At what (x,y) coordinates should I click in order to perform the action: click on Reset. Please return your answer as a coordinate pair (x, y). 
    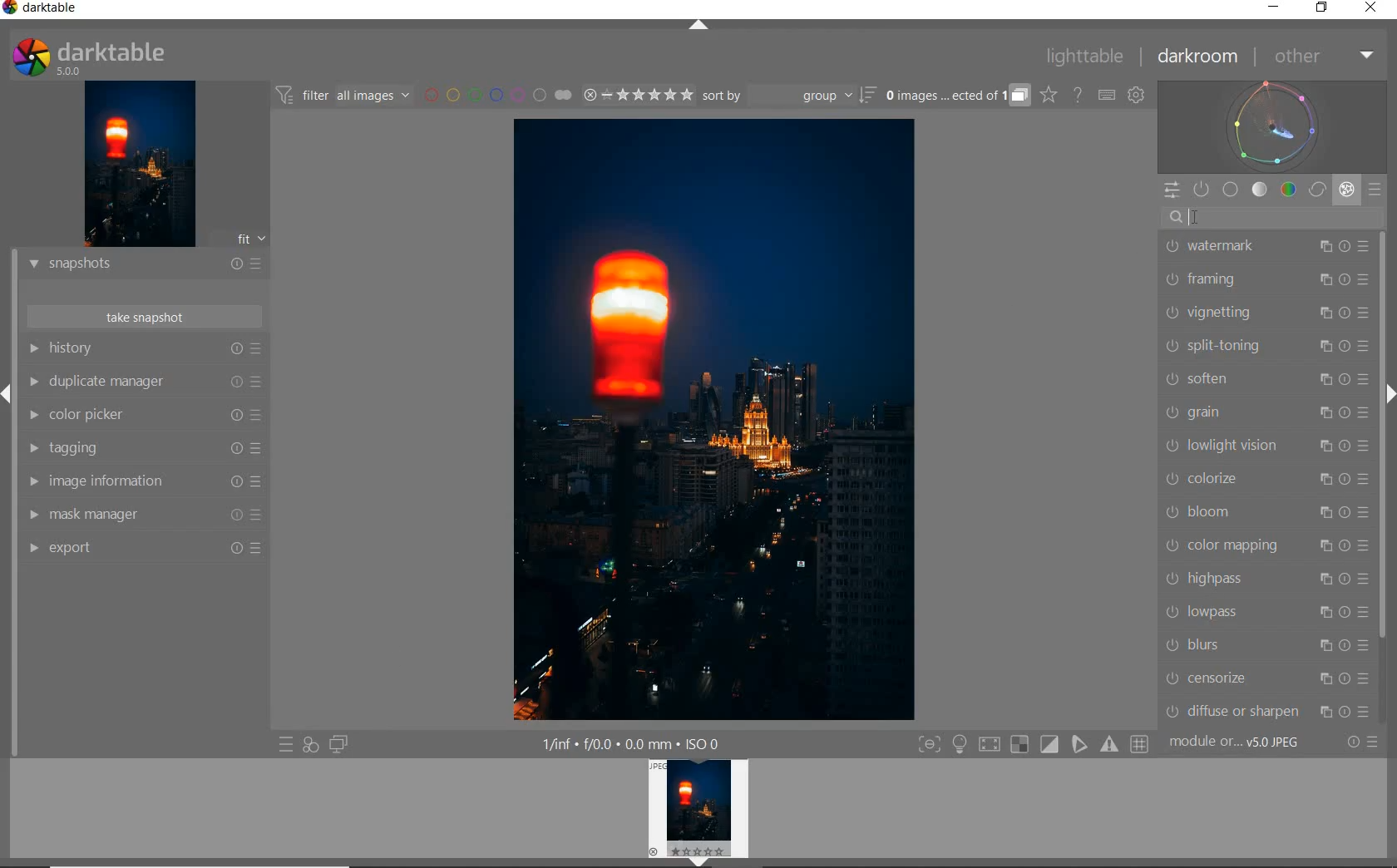
    Looking at the image, I should click on (1345, 614).